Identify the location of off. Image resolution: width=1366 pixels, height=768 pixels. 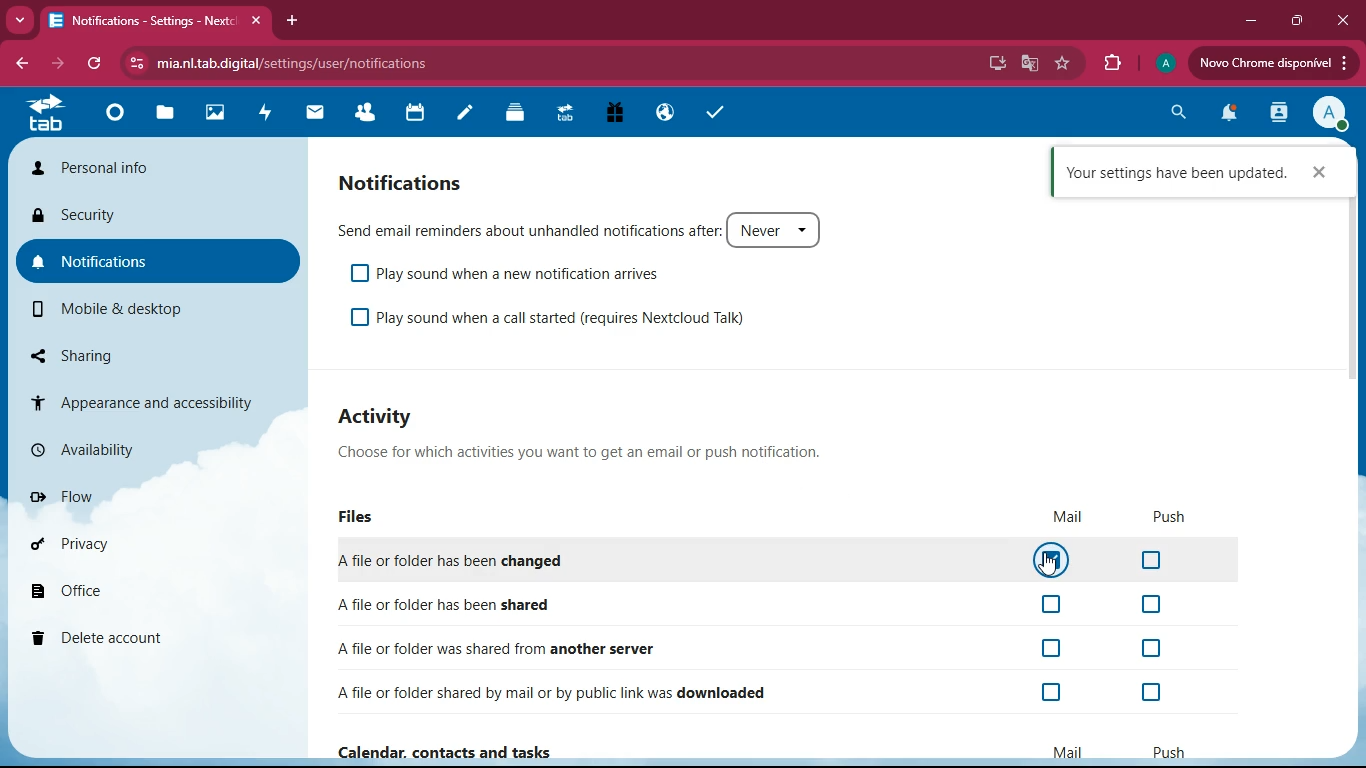
(1054, 606).